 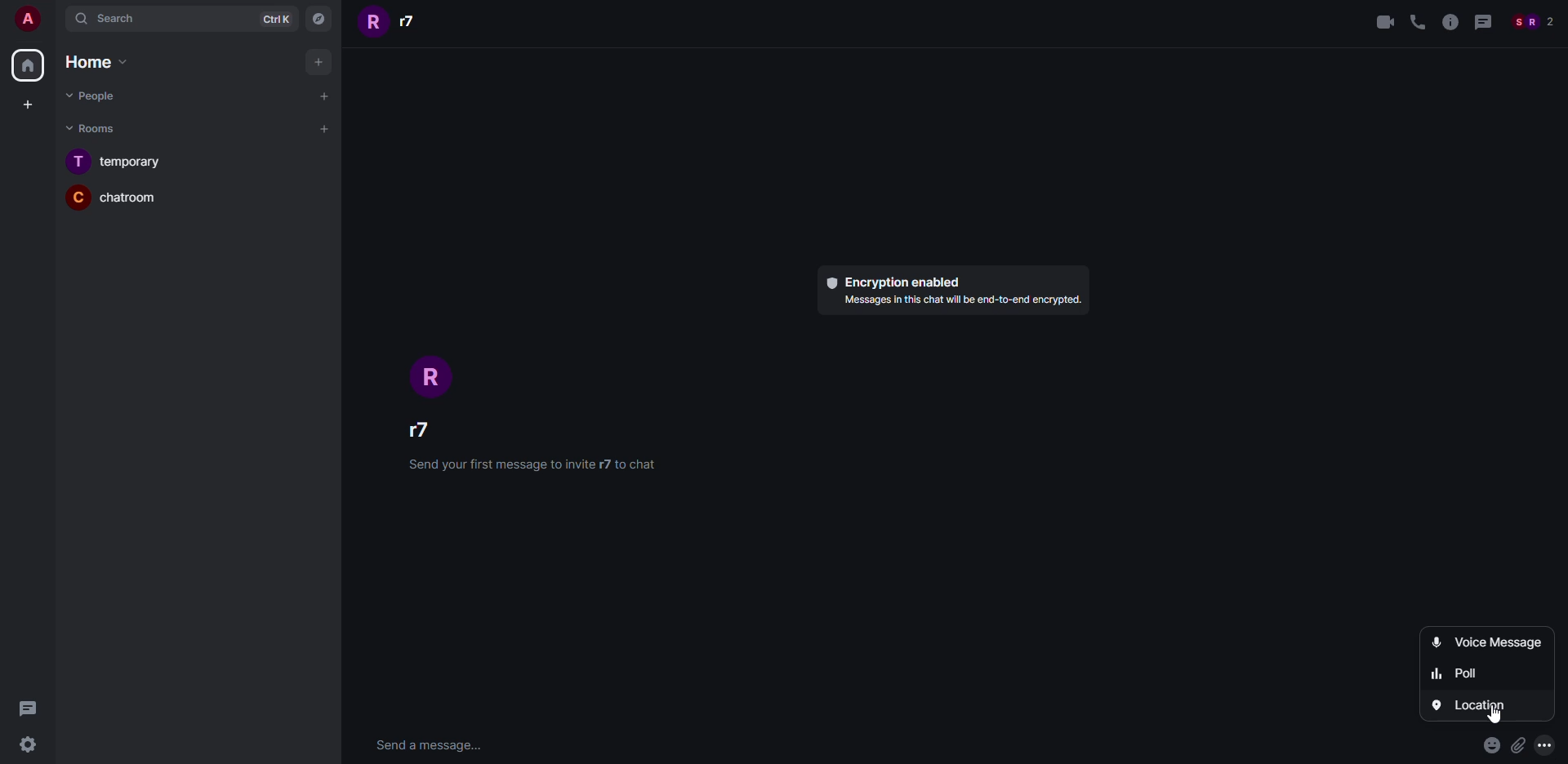 I want to click on call, so click(x=1417, y=23).